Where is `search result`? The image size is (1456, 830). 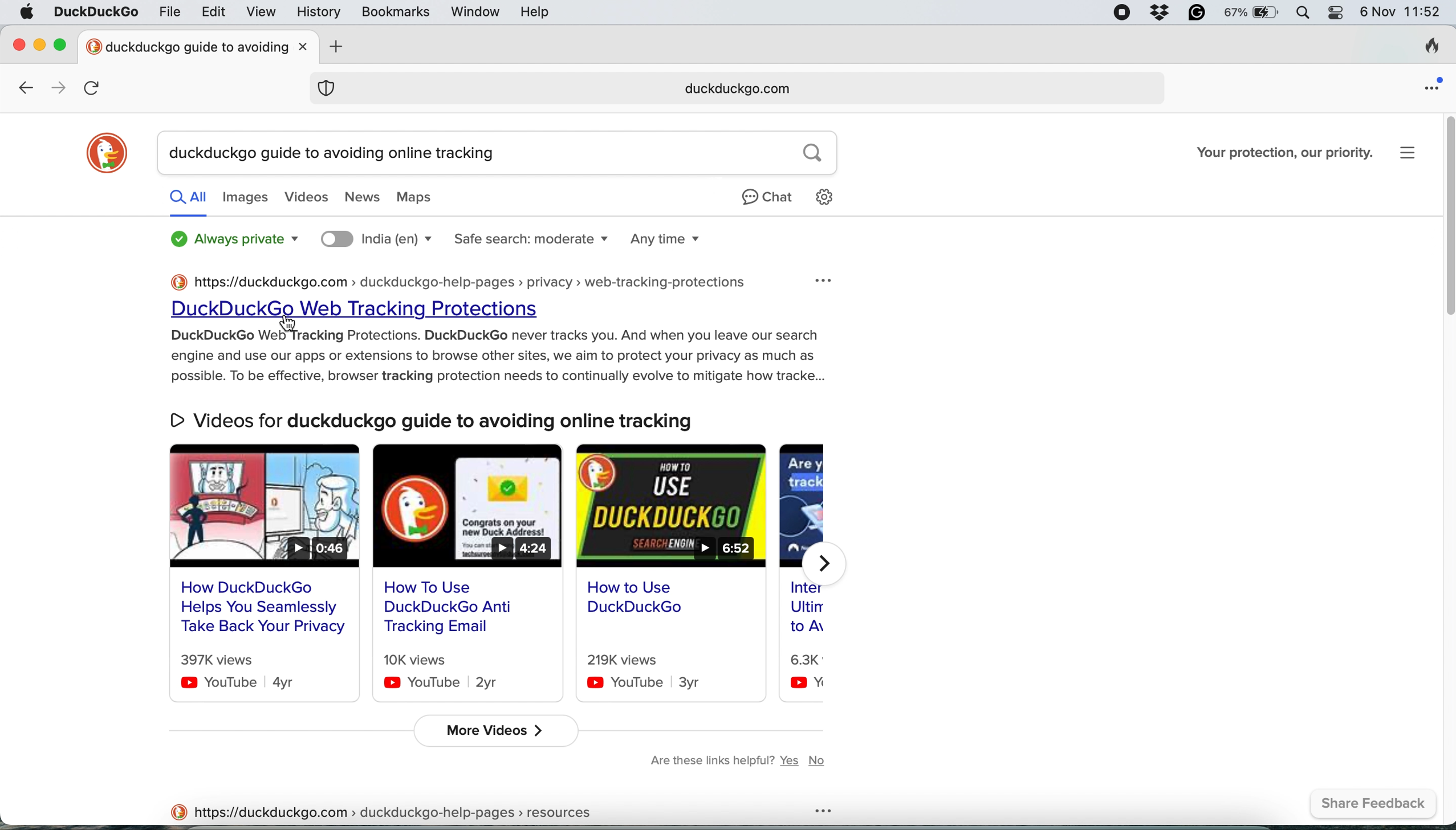
search result is located at coordinates (743, 88).